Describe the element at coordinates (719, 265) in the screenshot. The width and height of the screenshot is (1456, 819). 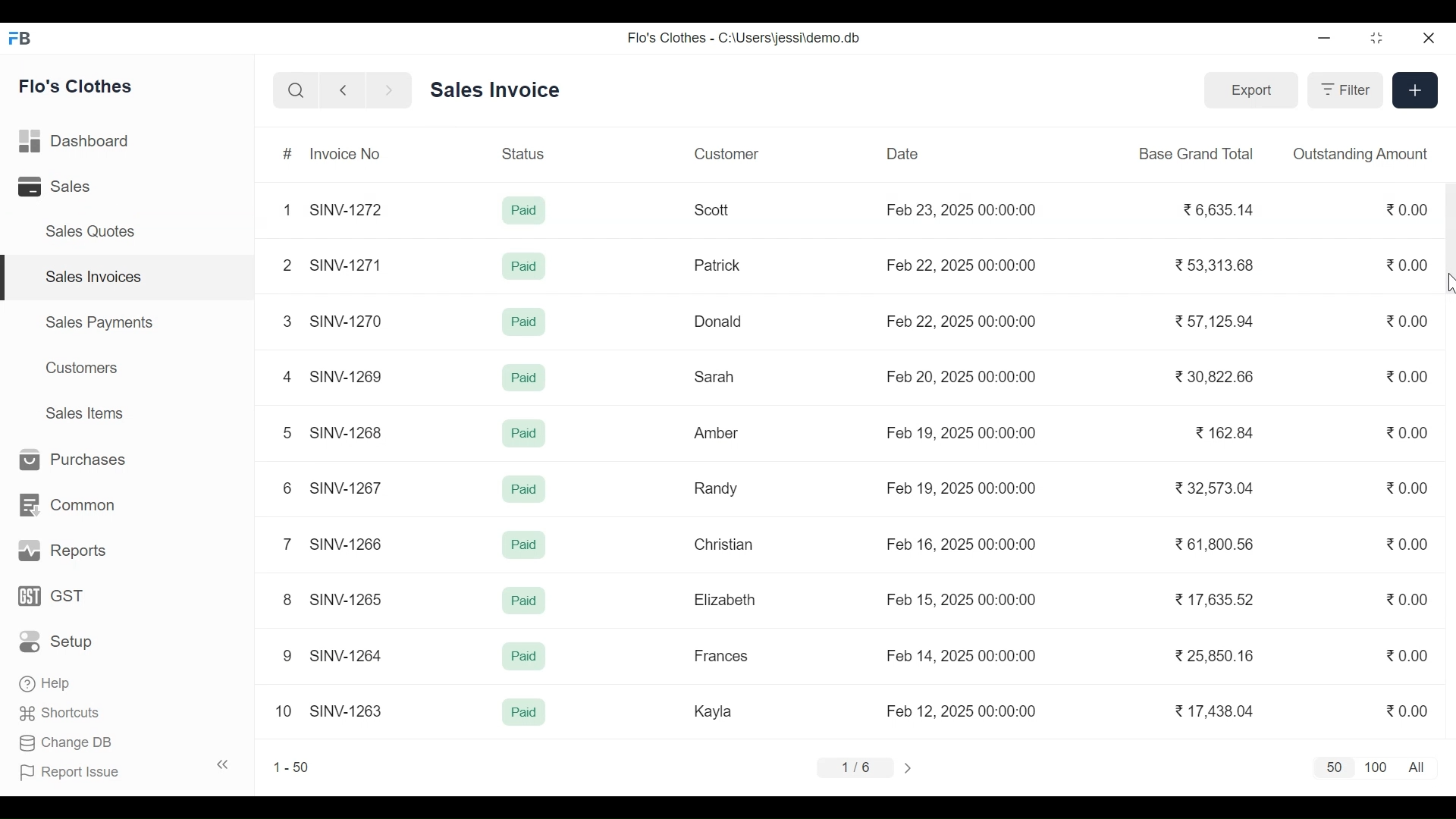
I see `Patrick` at that location.